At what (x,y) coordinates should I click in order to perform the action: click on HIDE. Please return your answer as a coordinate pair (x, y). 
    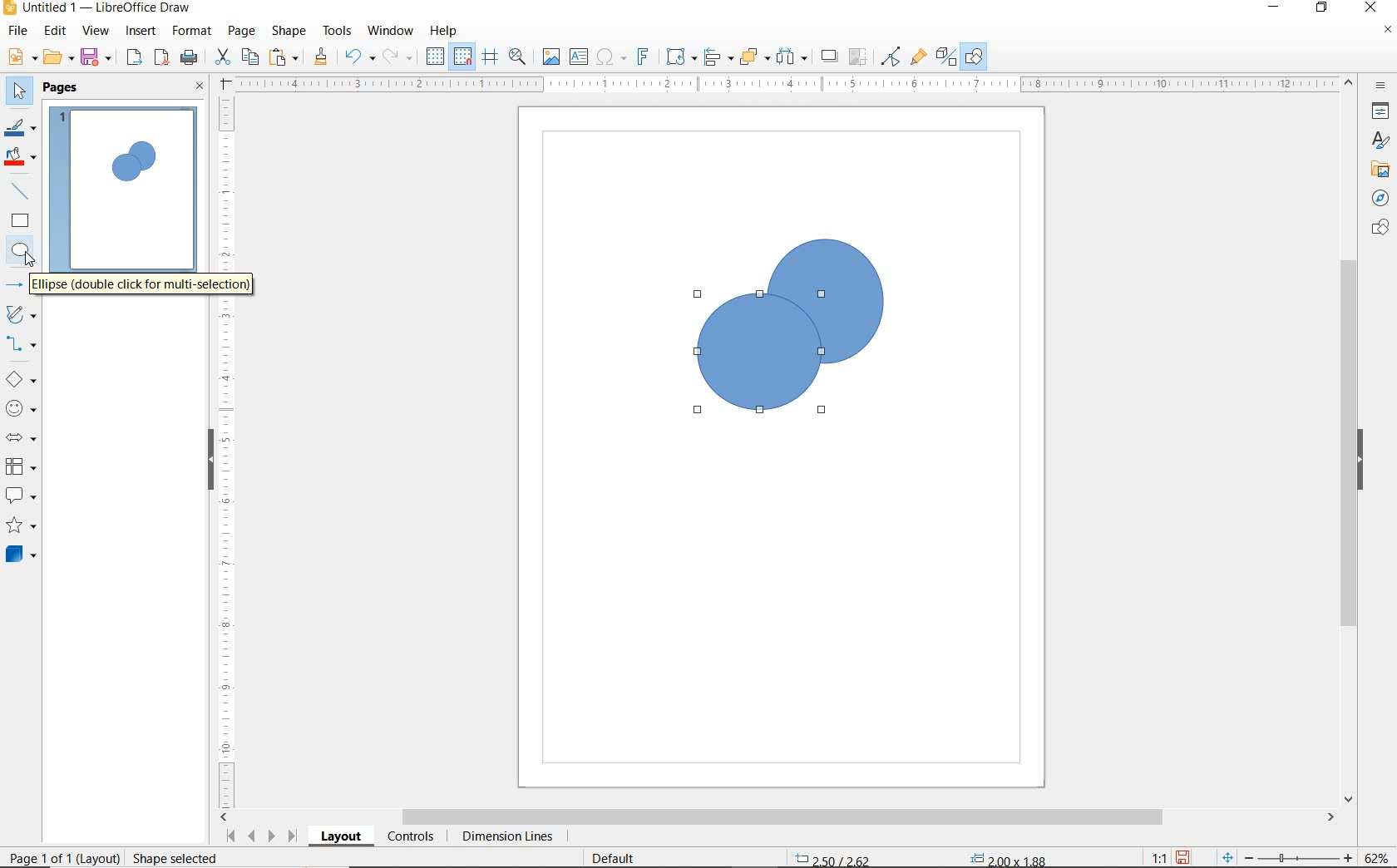
    Looking at the image, I should click on (1365, 460).